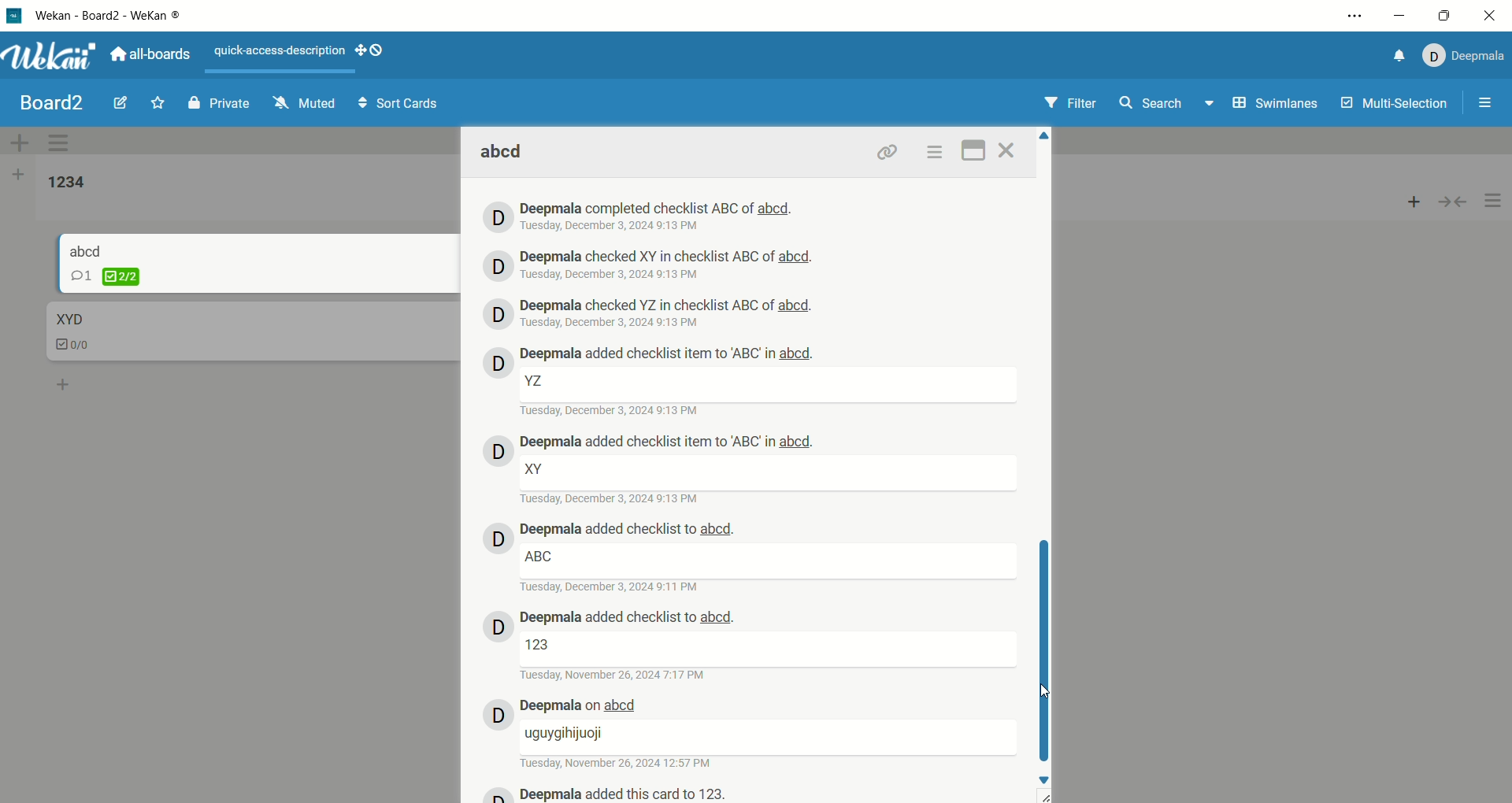 Image resolution: width=1512 pixels, height=803 pixels. I want to click on date and time, so click(612, 411).